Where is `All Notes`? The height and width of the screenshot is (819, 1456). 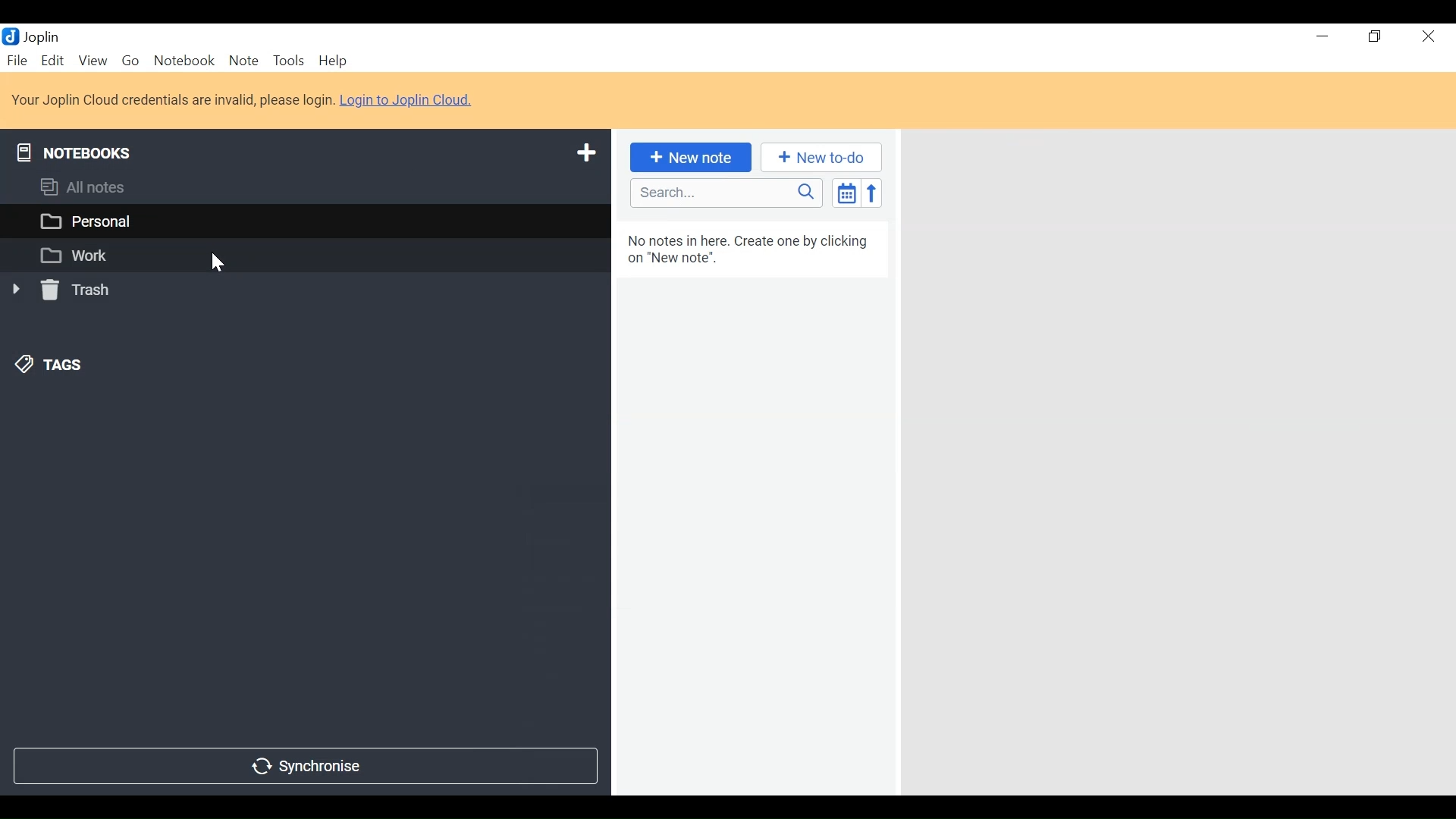 All Notes is located at coordinates (304, 190).